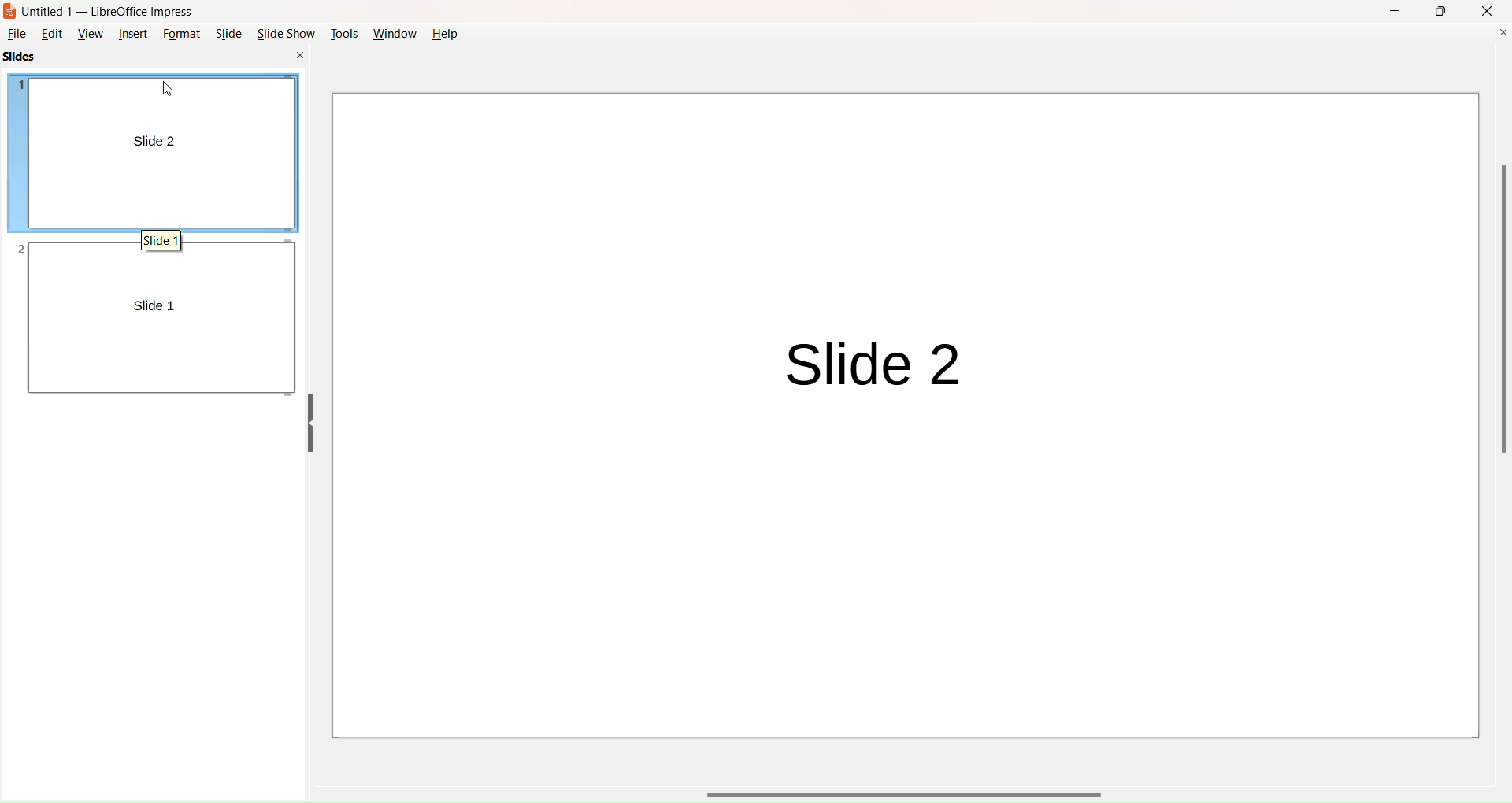 This screenshot has width=1512, height=803. Describe the element at coordinates (342, 32) in the screenshot. I see `tools` at that location.